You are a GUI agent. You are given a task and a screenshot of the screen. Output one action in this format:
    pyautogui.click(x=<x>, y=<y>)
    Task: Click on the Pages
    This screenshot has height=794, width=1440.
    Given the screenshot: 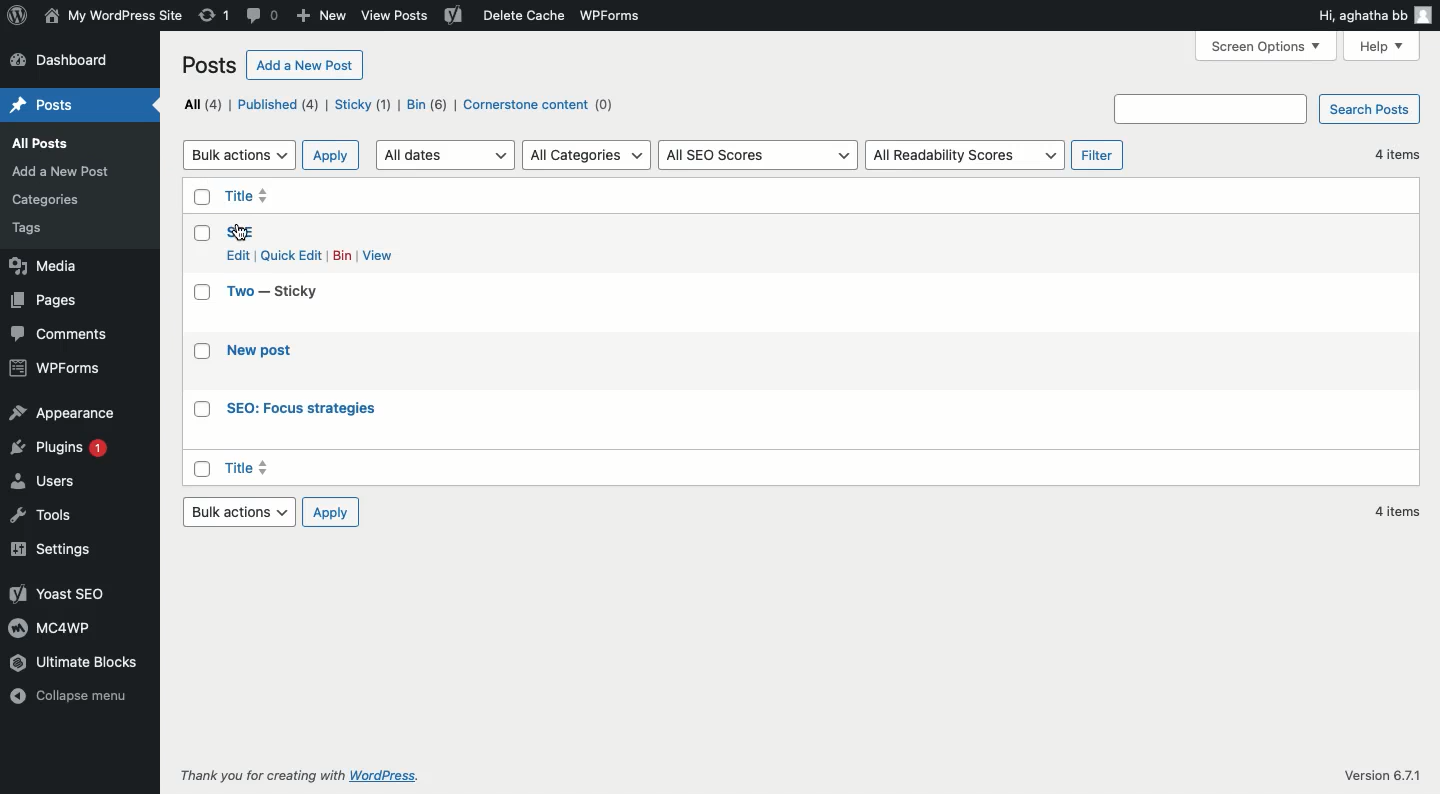 What is the action you would take?
    pyautogui.click(x=50, y=297)
    